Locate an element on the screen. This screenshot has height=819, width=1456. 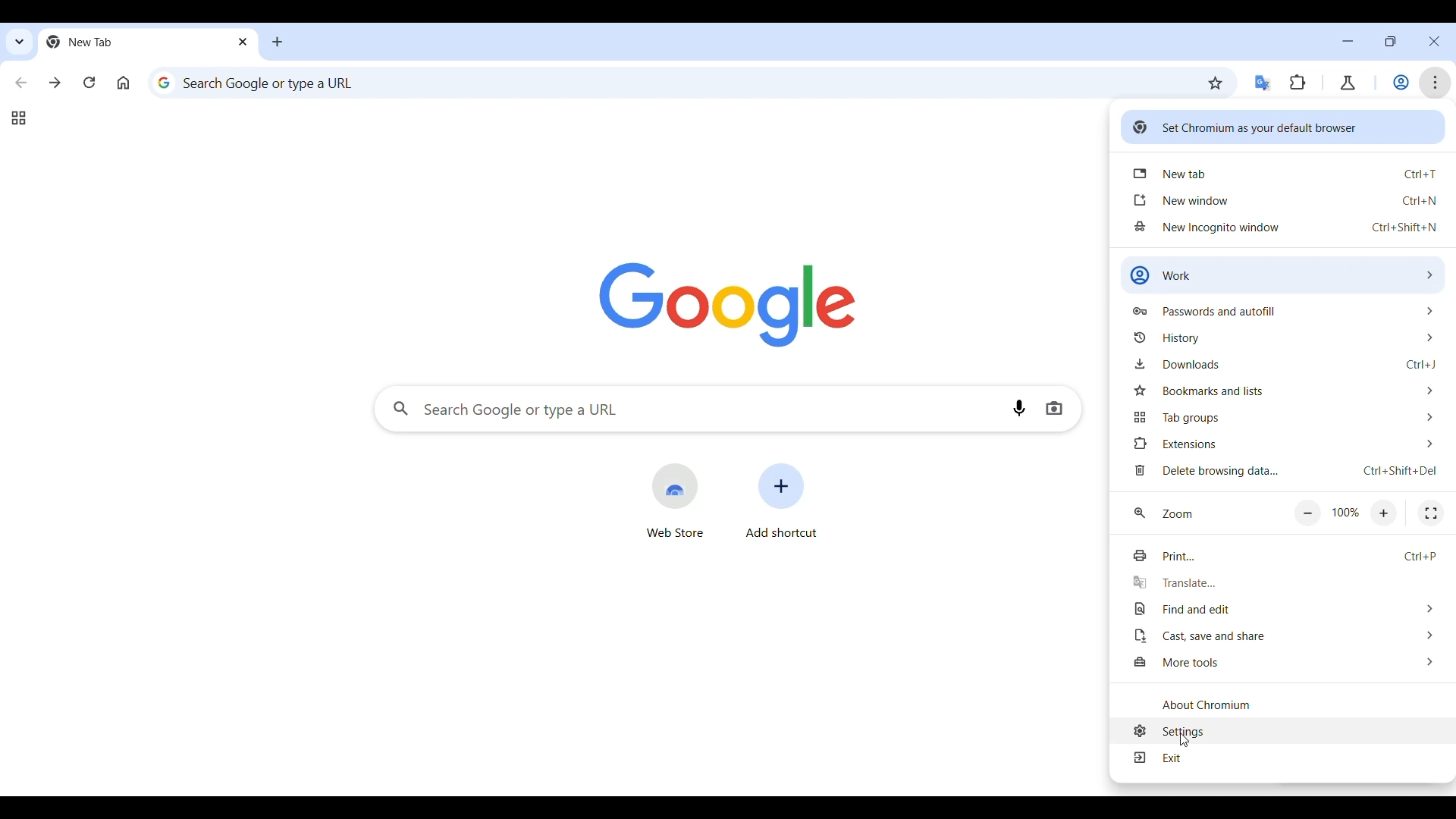
Google translator extension is located at coordinates (1263, 83).